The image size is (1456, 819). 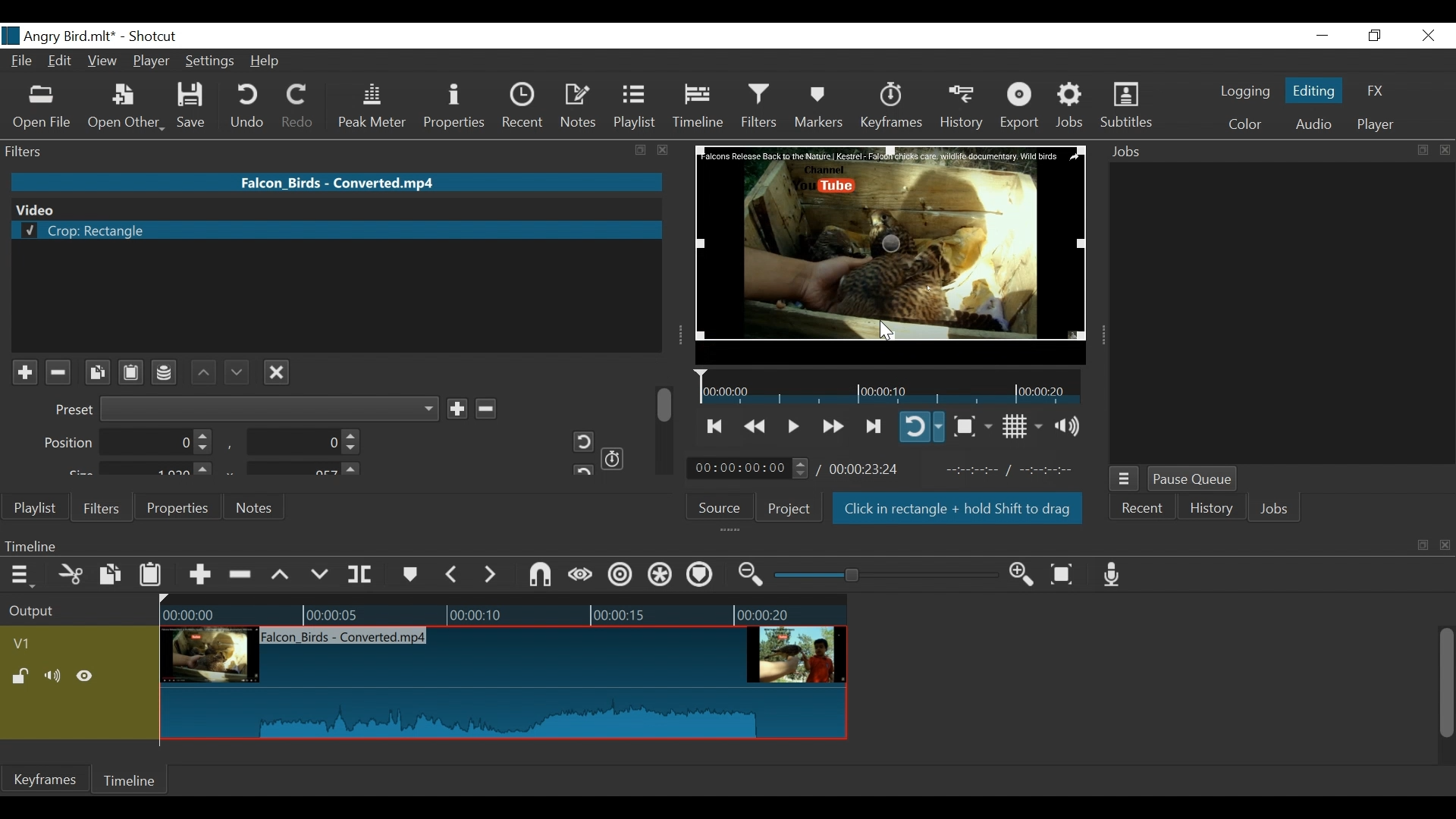 What do you see at coordinates (66, 645) in the screenshot?
I see `Video Track Name` at bounding box center [66, 645].